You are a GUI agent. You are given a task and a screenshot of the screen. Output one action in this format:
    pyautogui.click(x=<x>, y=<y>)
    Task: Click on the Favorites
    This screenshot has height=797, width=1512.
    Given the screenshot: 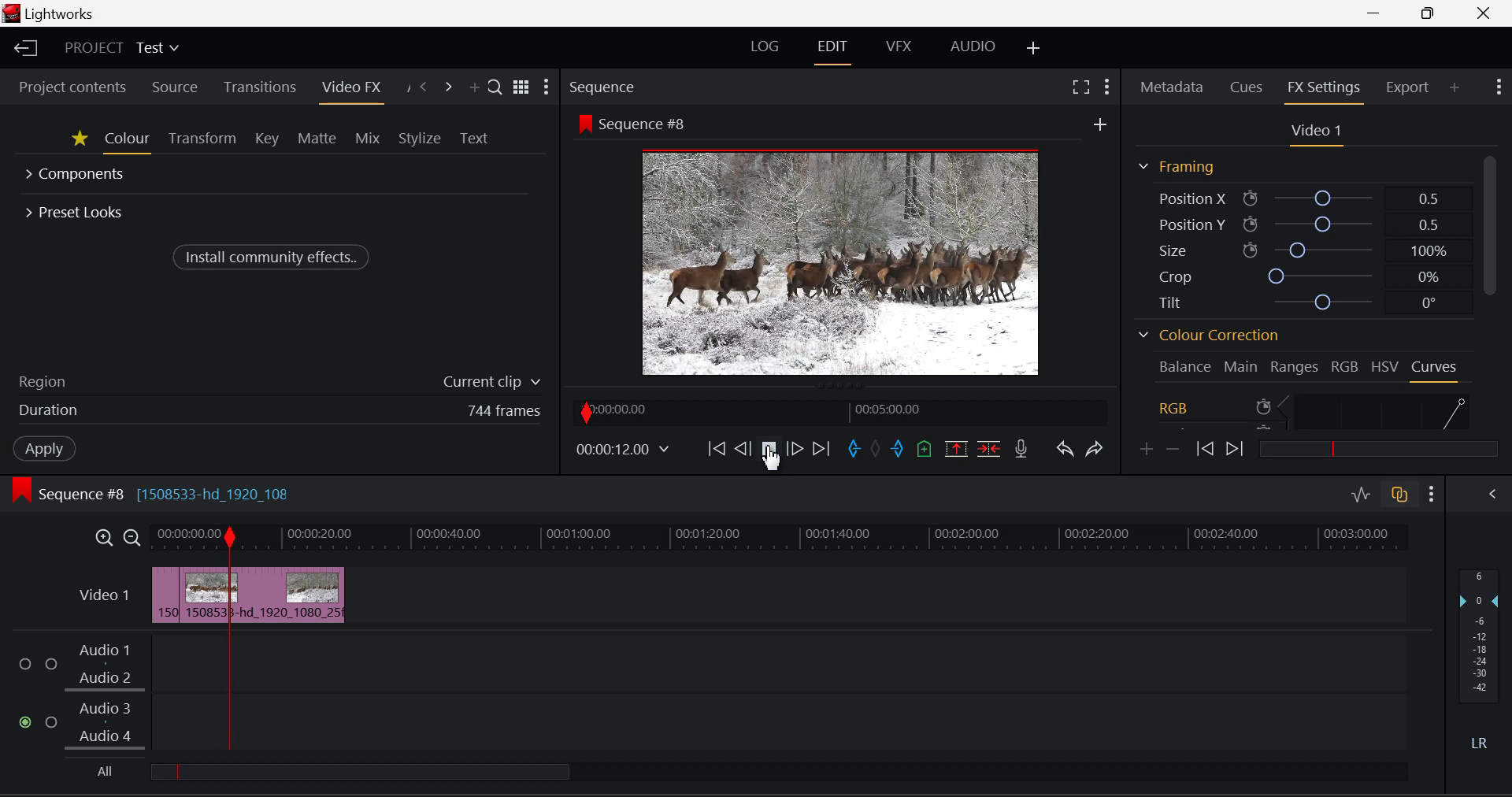 What is the action you would take?
    pyautogui.click(x=79, y=141)
    